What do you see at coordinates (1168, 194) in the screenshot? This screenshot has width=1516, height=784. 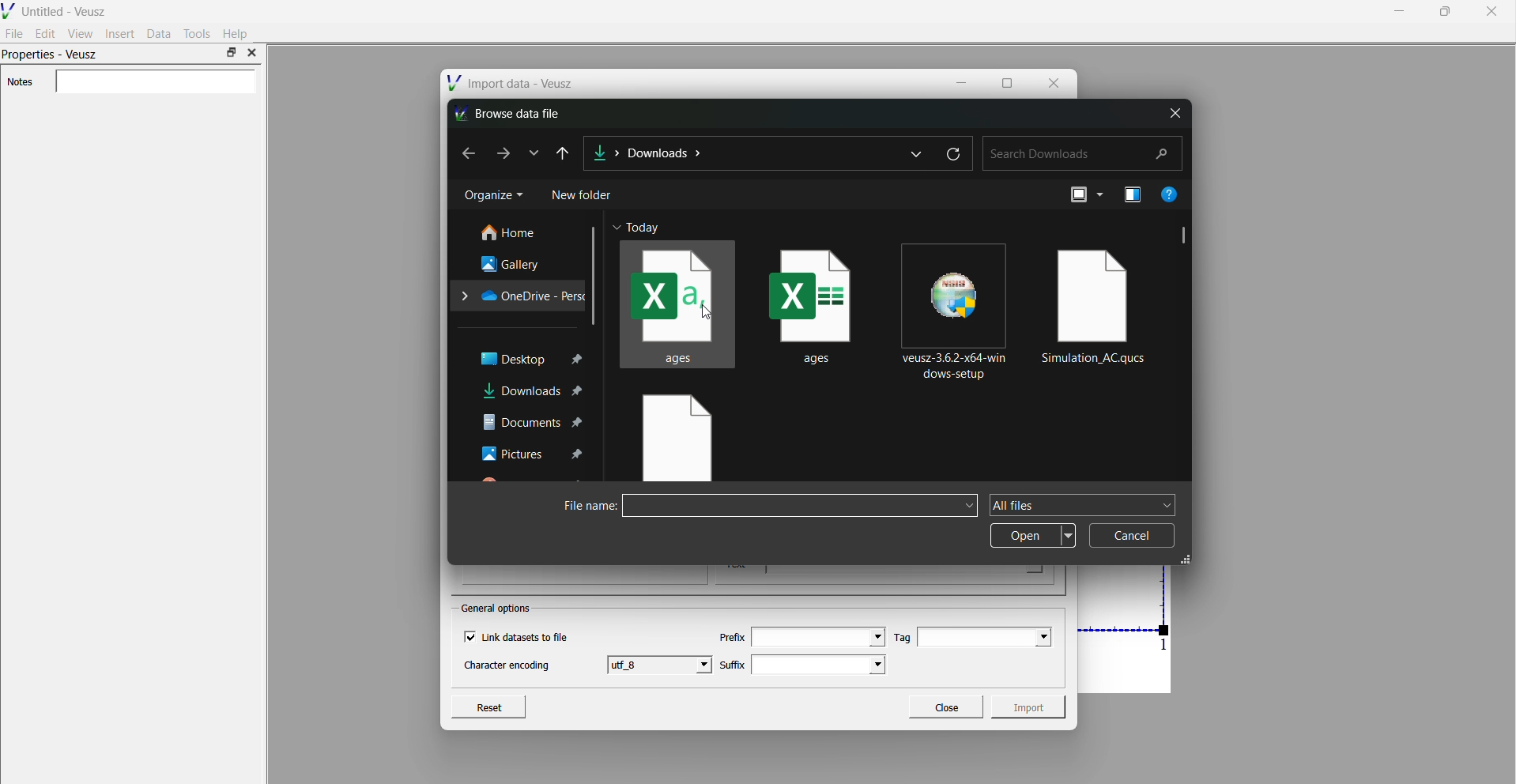 I see `get help` at bounding box center [1168, 194].